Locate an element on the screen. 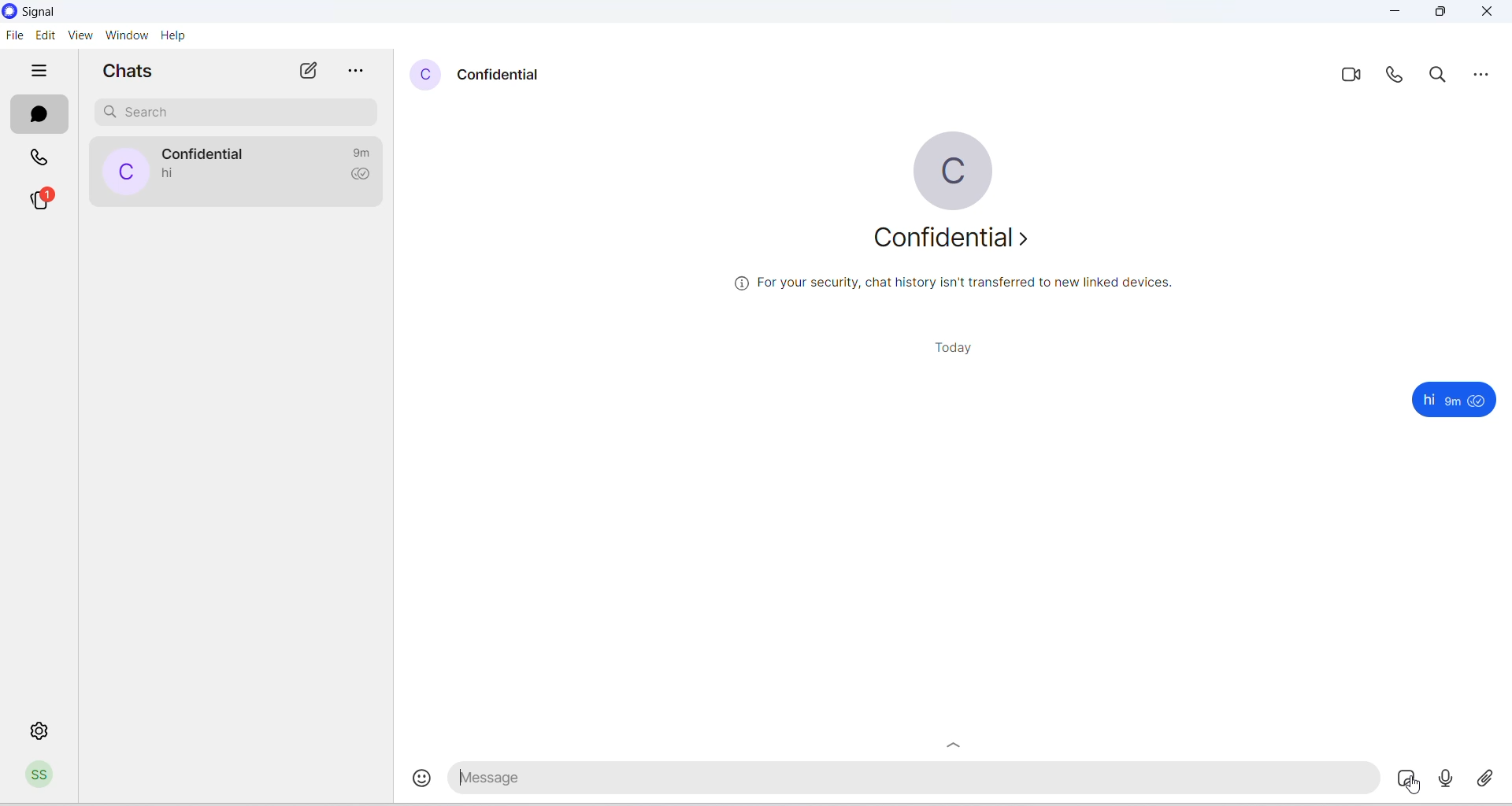 The image size is (1512, 806). minimize is located at coordinates (1395, 14).